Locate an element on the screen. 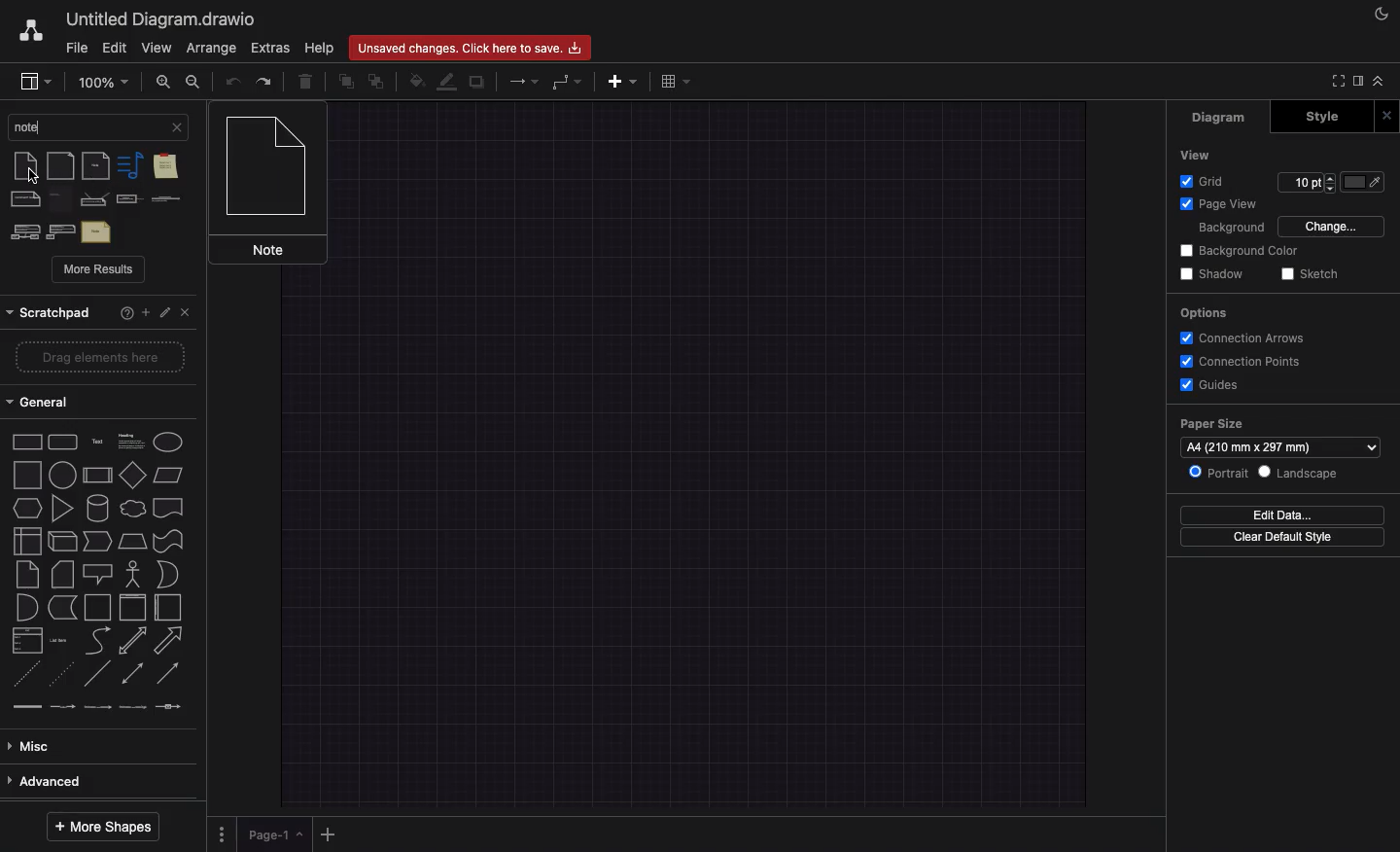  Edit is located at coordinates (117, 47).